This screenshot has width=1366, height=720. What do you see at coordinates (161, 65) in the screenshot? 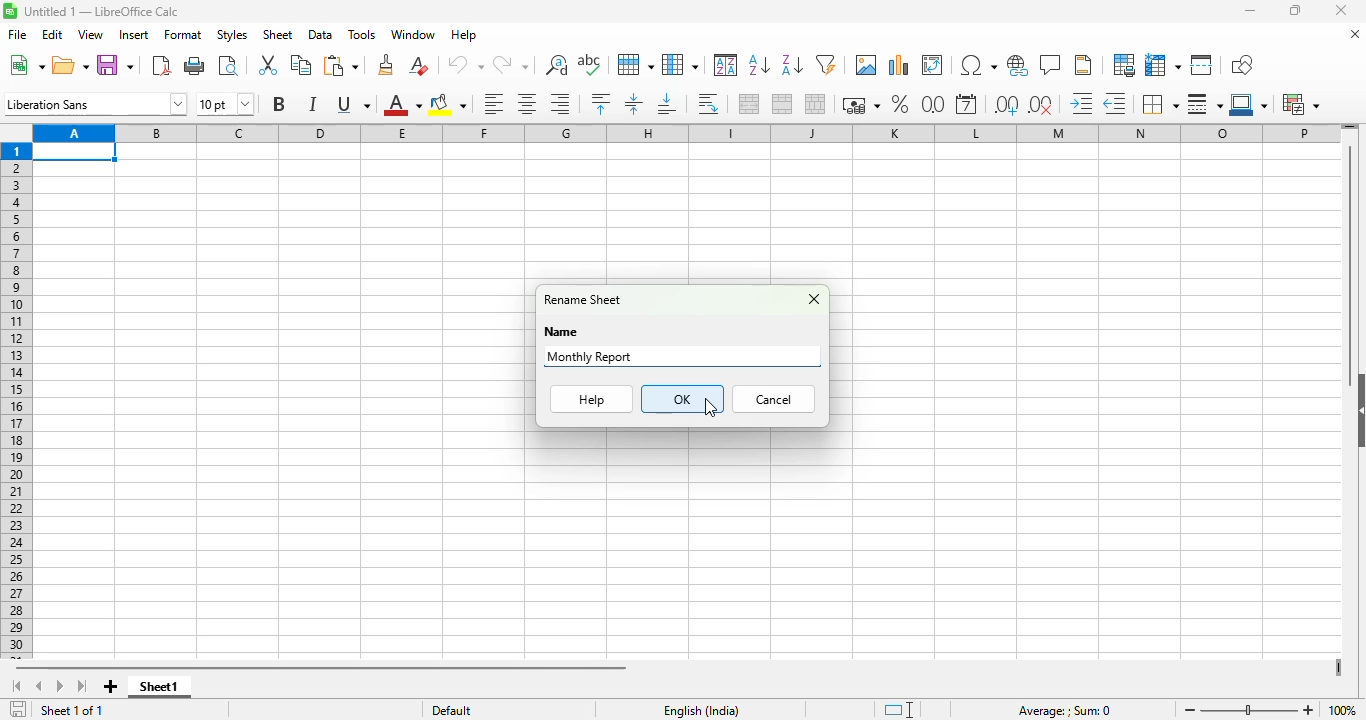
I see `export directly as PDF` at bounding box center [161, 65].